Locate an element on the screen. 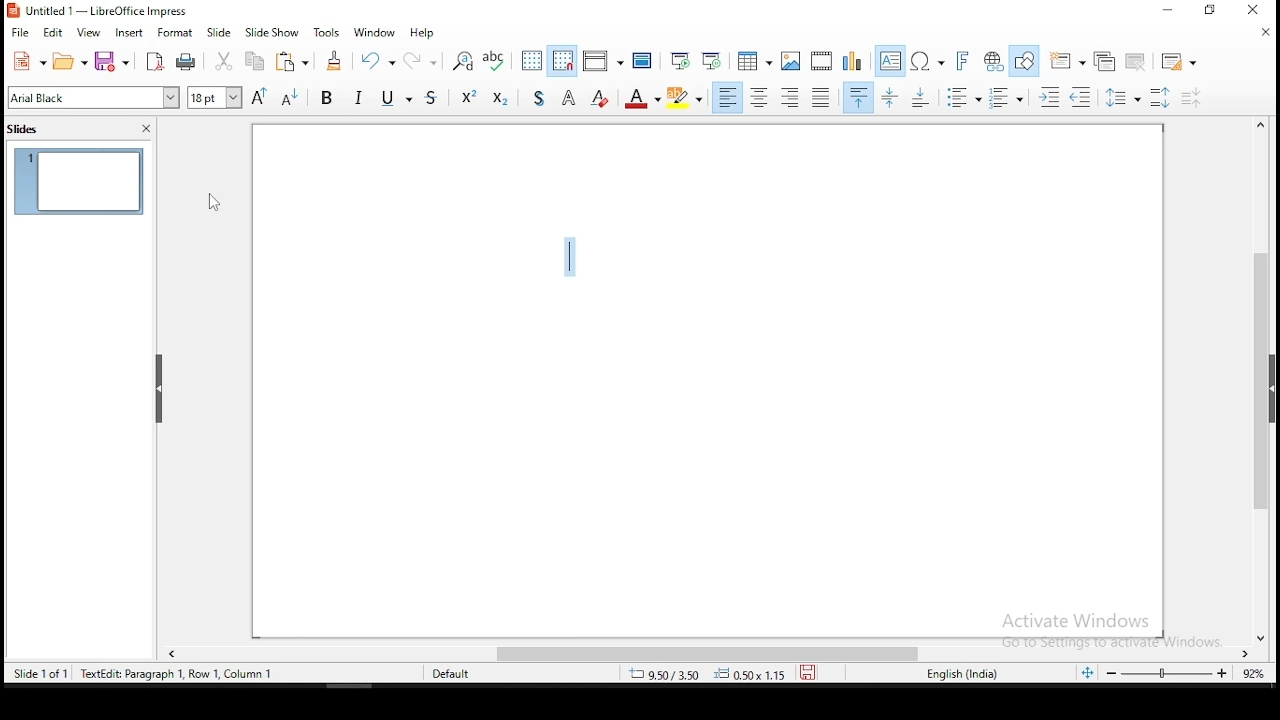  undo is located at coordinates (376, 59).